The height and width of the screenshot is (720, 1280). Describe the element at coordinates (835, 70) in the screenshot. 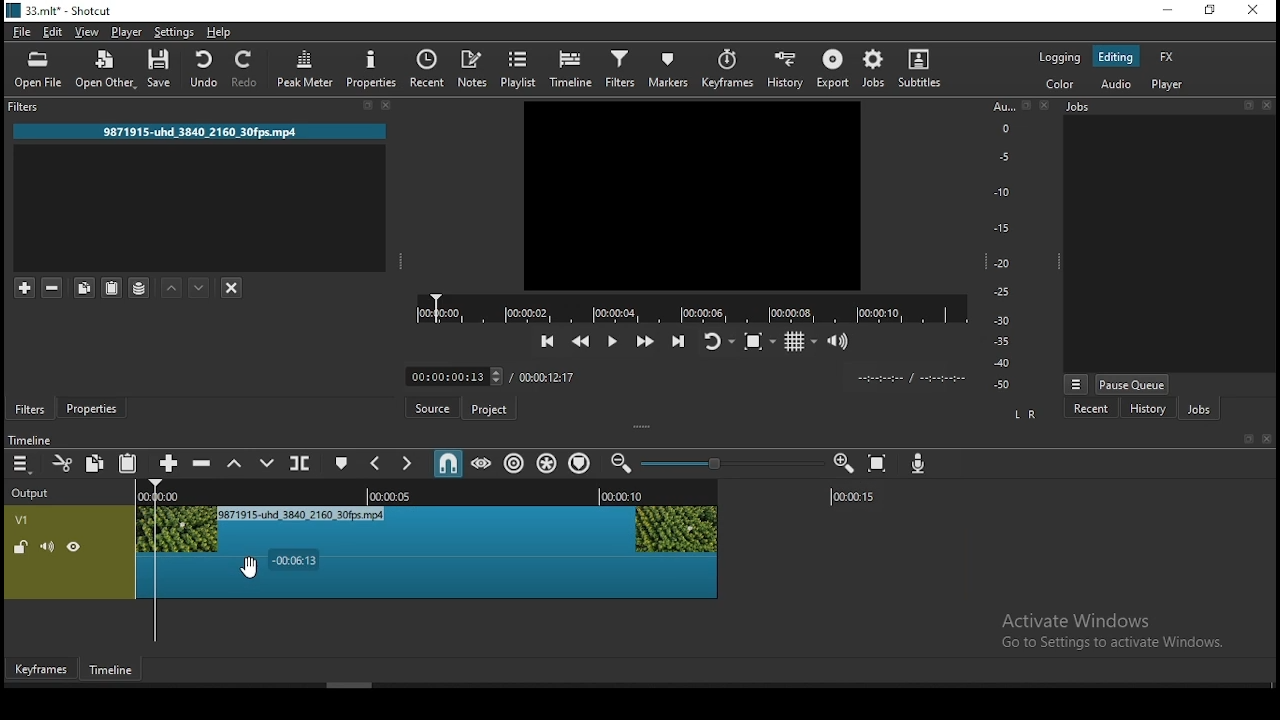

I see `export` at that location.